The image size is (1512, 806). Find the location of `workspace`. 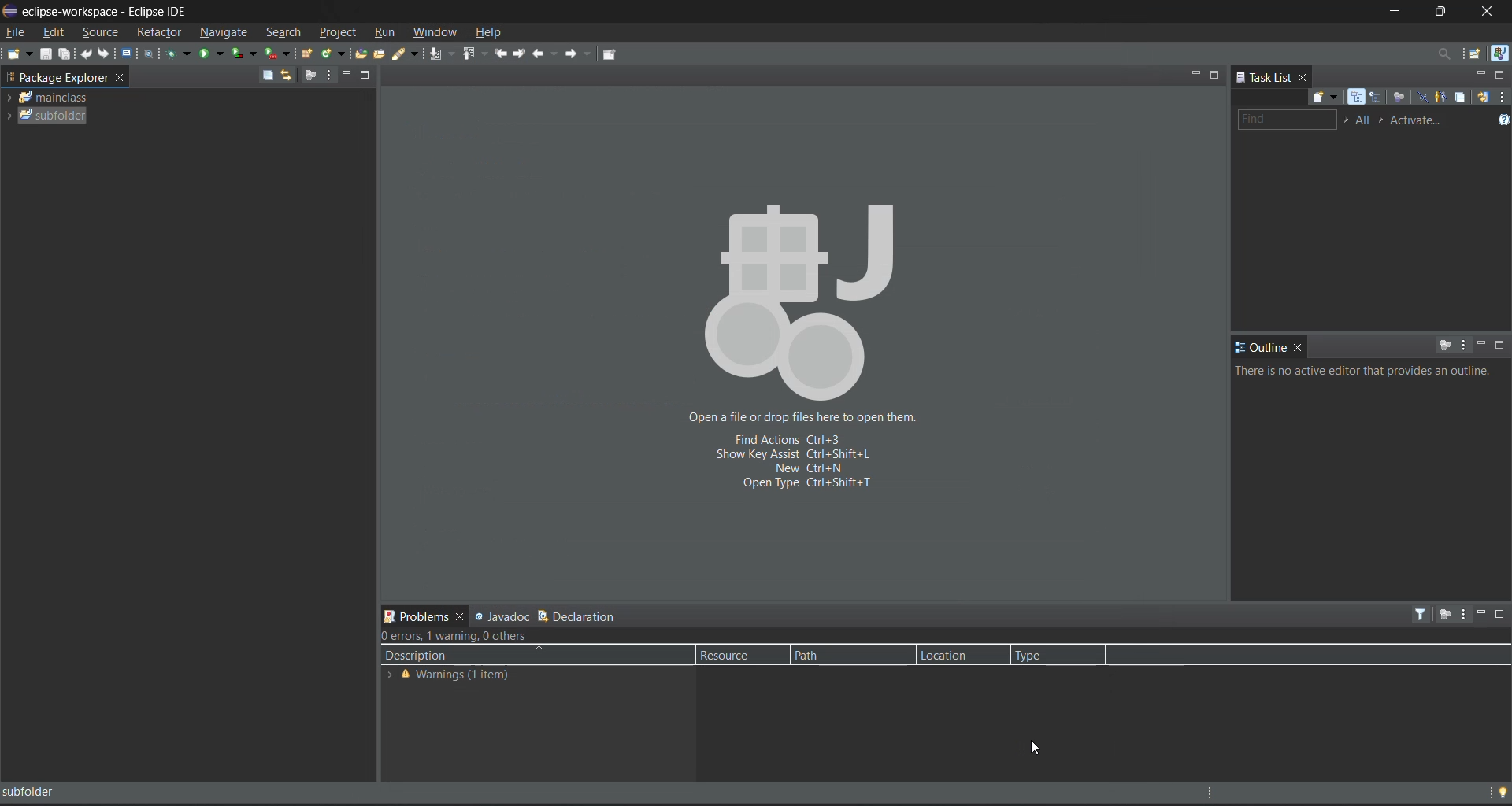

workspace is located at coordinates (57, 77).